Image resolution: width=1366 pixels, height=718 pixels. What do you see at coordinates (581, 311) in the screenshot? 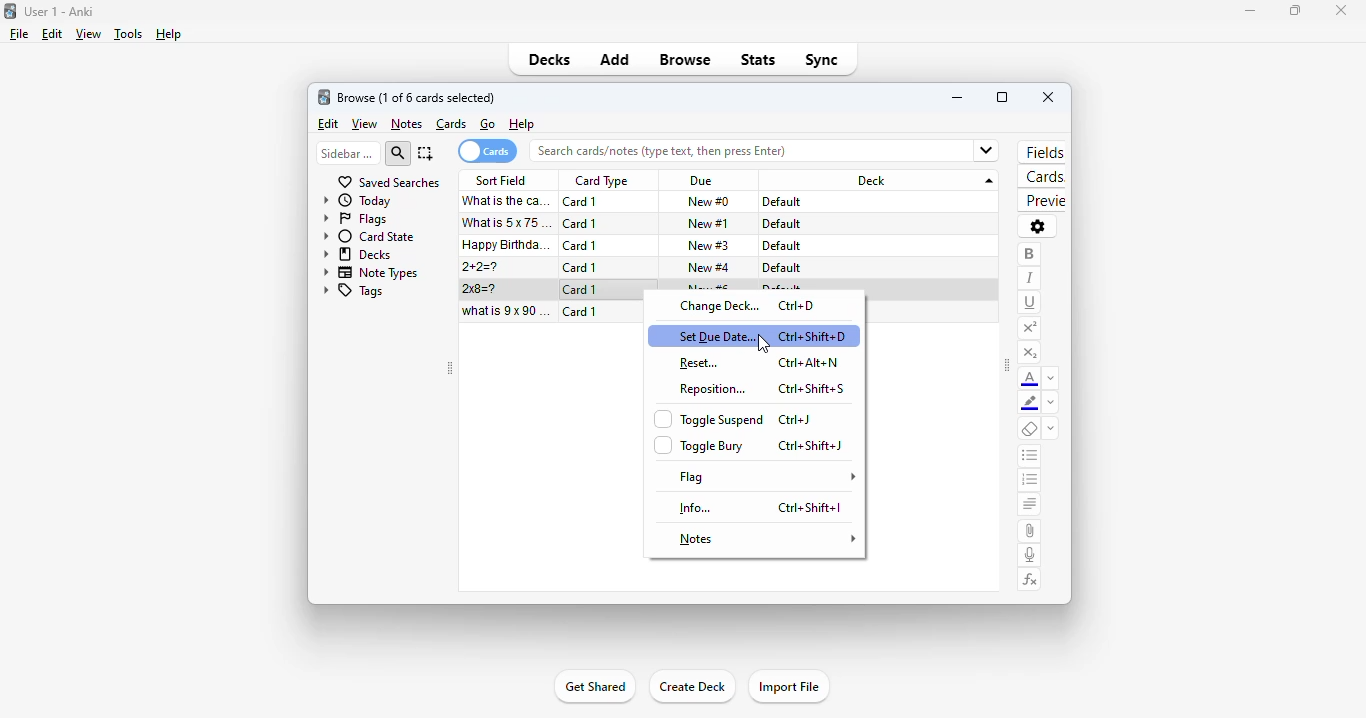
I see `card 1` at bounding box center [581, 311].